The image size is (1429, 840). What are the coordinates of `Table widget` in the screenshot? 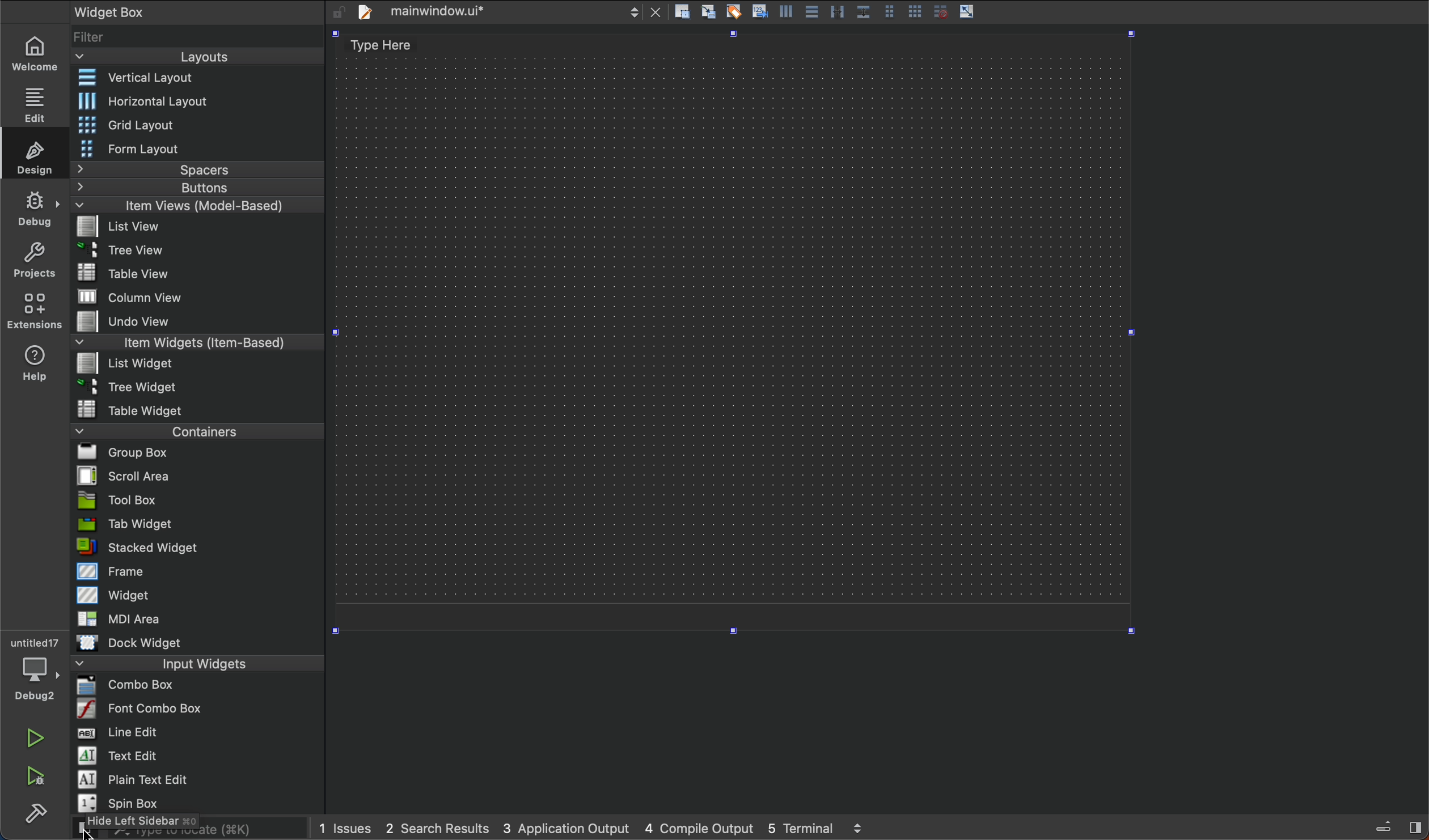 It's located at (132, 410).